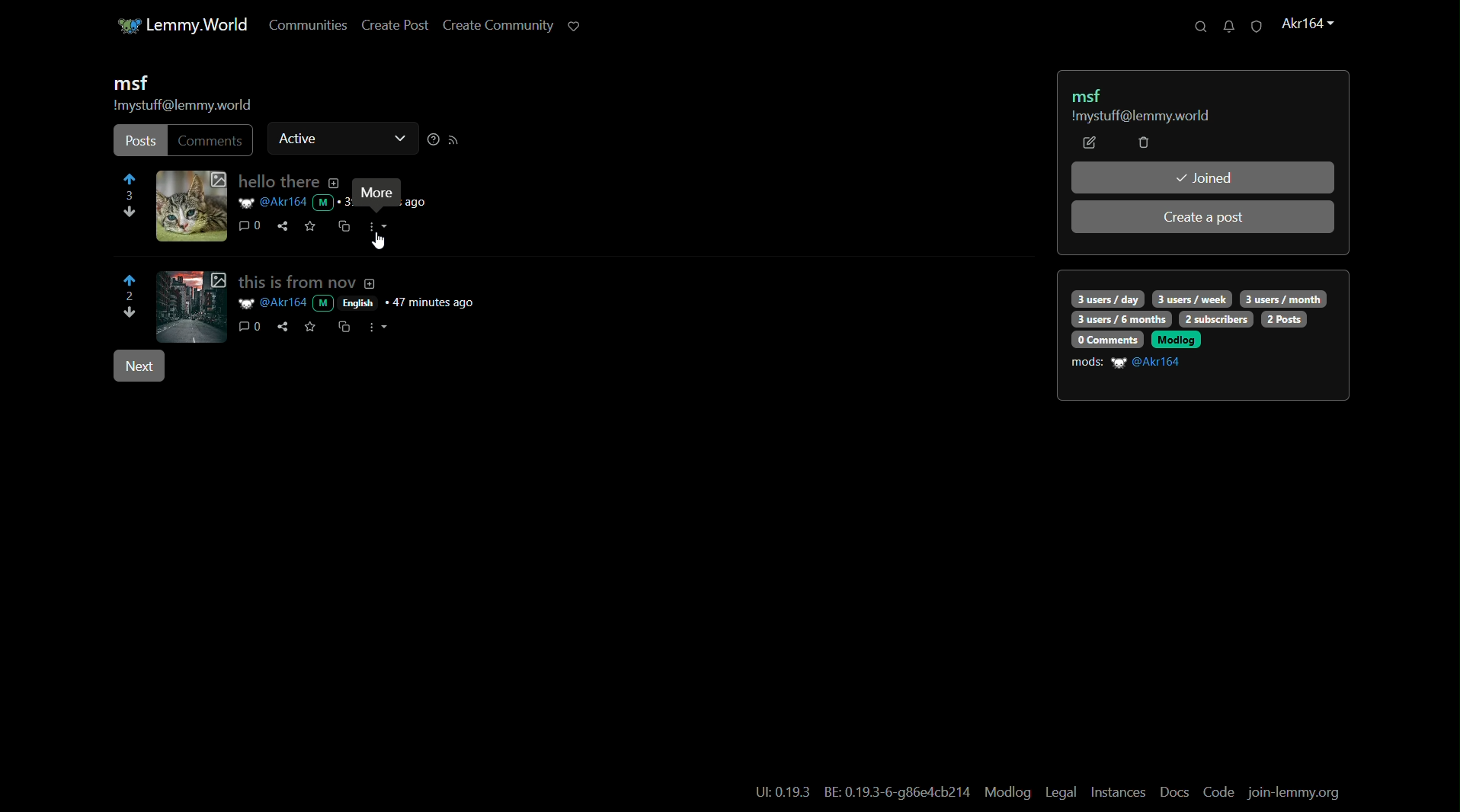 This screenshot has height=812, width=1460. I want to click on username, so click(271, 203).